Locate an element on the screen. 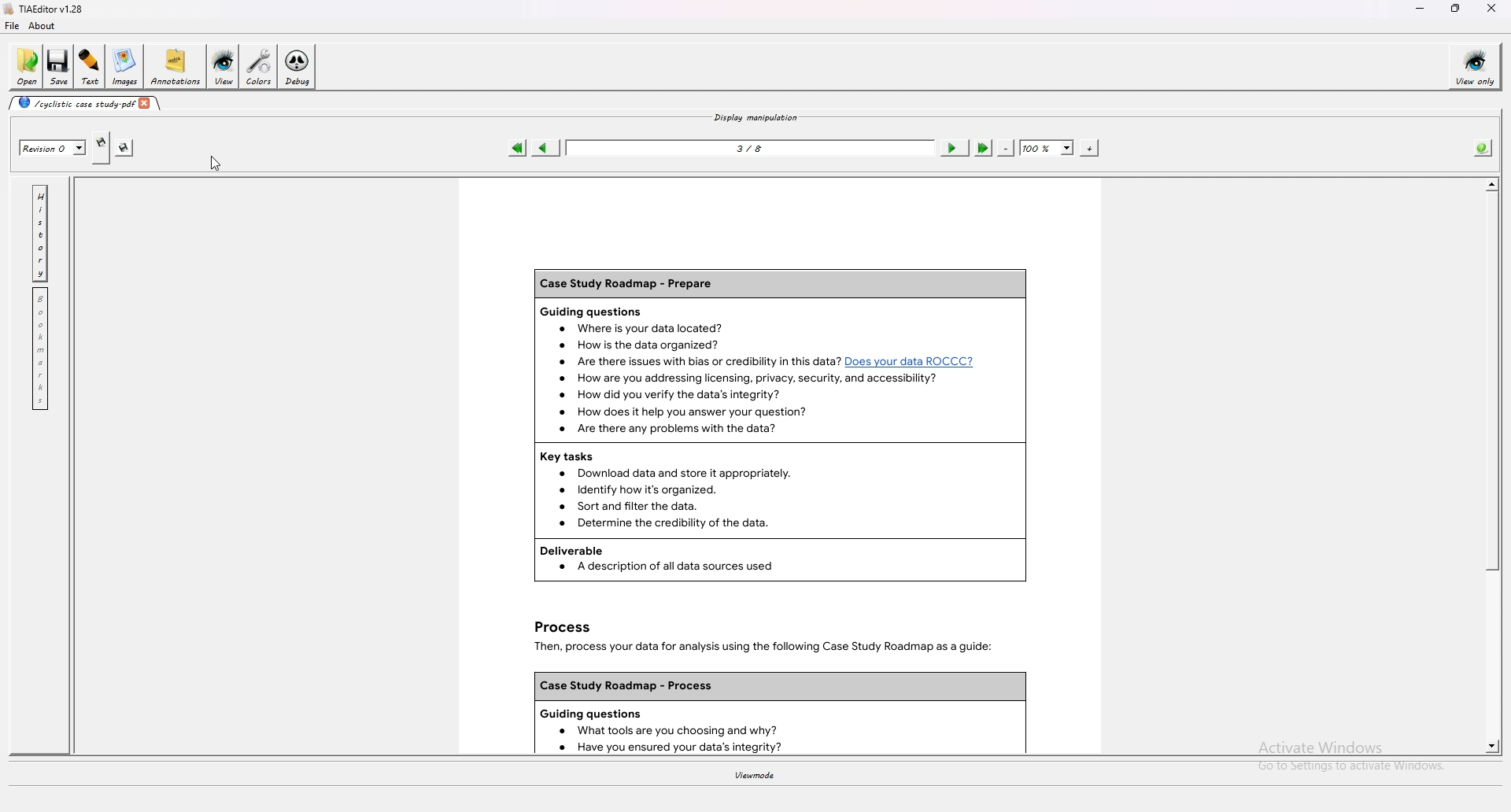 Image resolution: width=1511 pixels, height=812 pixels. How is the data organized? is located at coordinates (645, 345).